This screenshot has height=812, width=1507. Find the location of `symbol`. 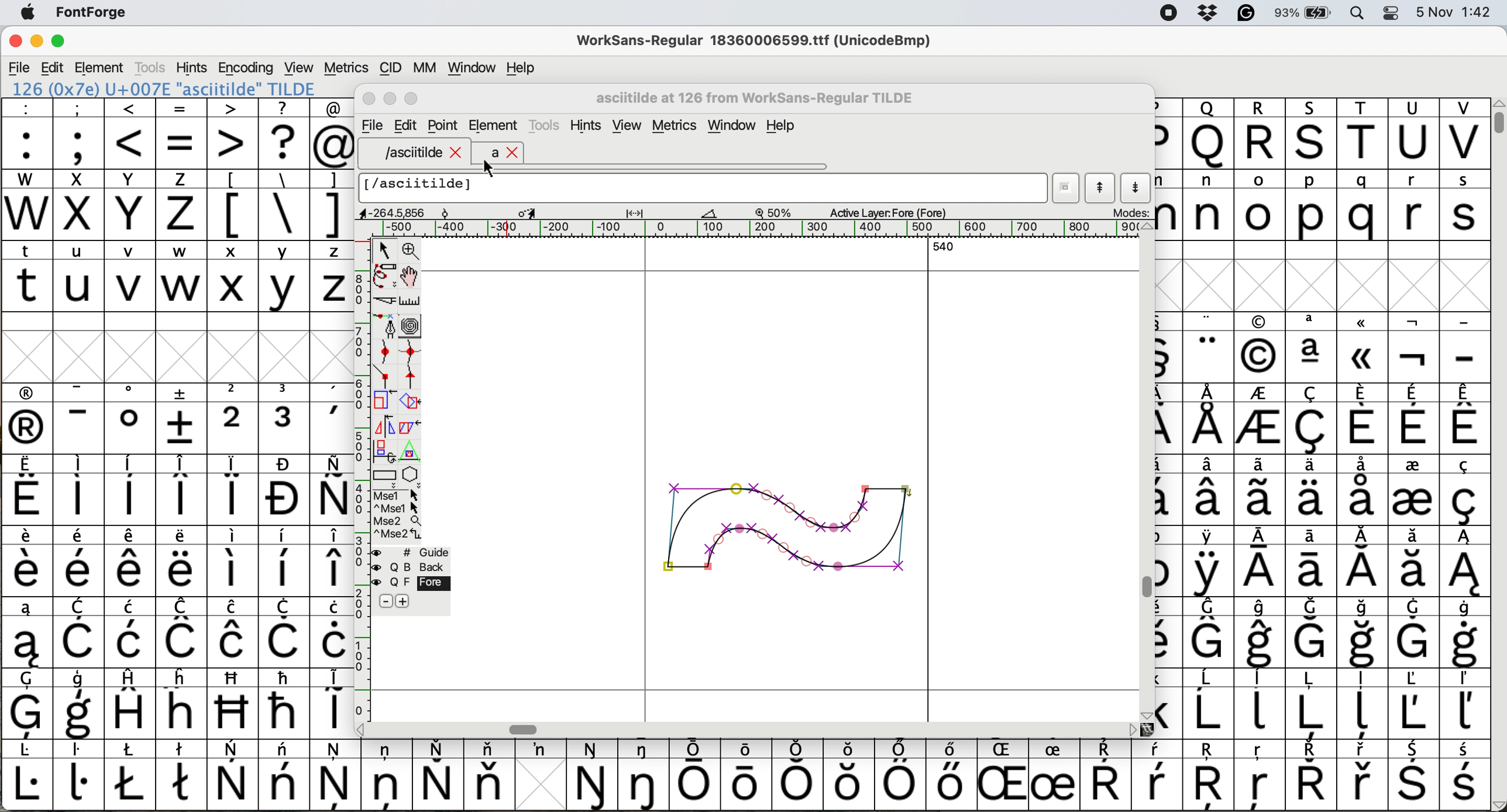

symbol is located at coordinates (1412, 489).